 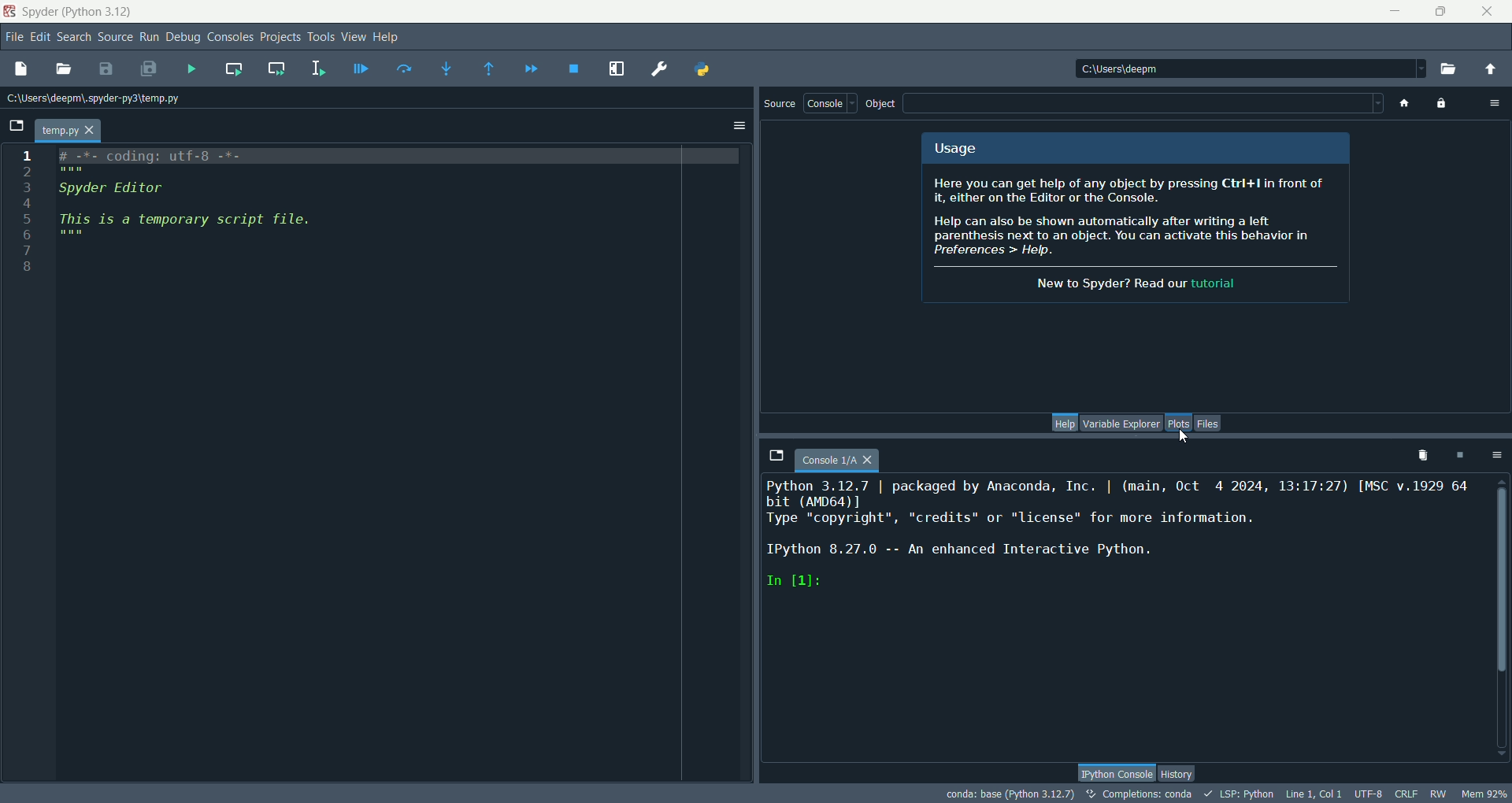 I want to click on consoles, so click(x=232, y=38).